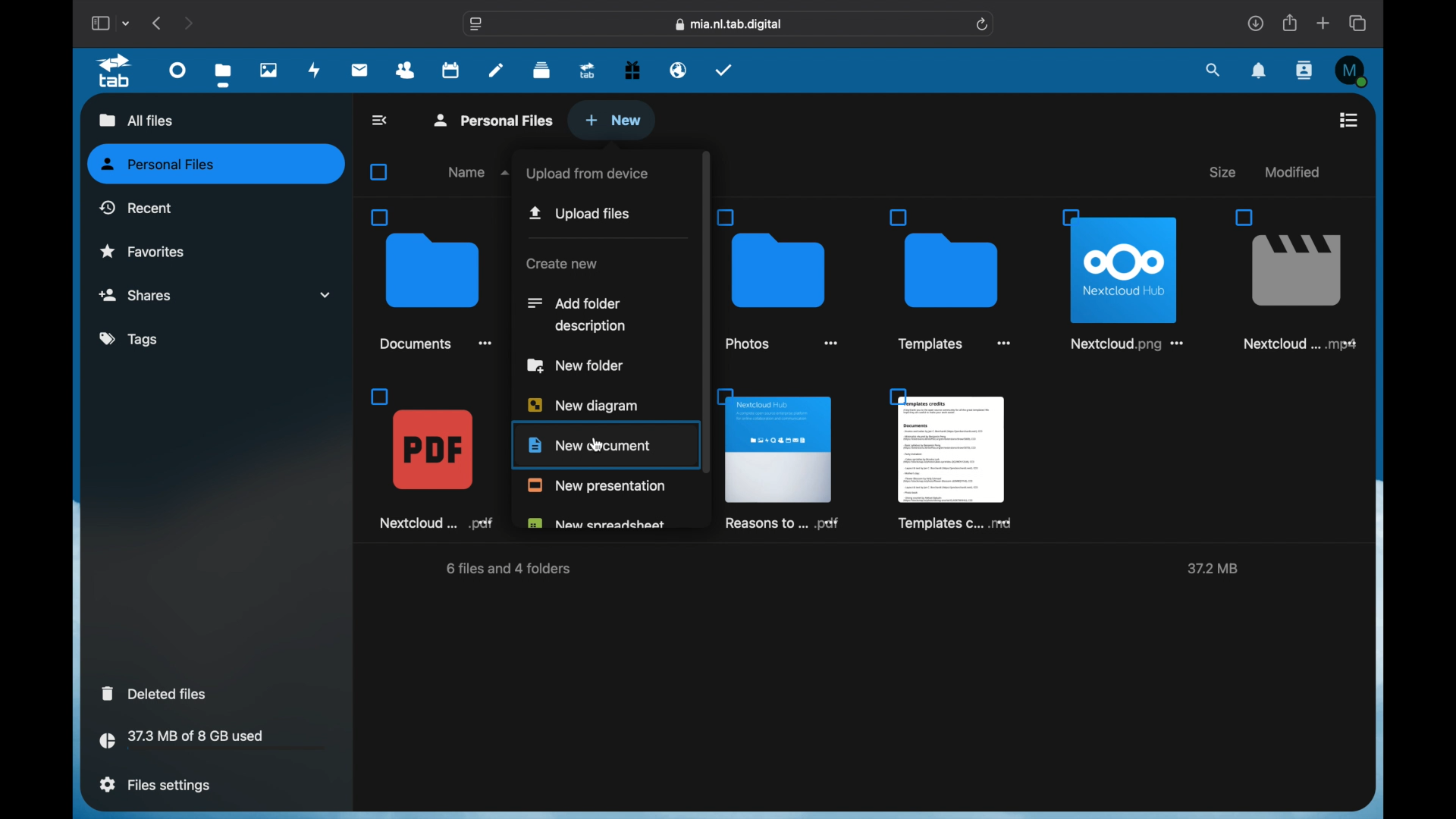  What do you see at coordinates (541, 71) in the screenshot?
I see `deck` at bounding box center [541, 71].